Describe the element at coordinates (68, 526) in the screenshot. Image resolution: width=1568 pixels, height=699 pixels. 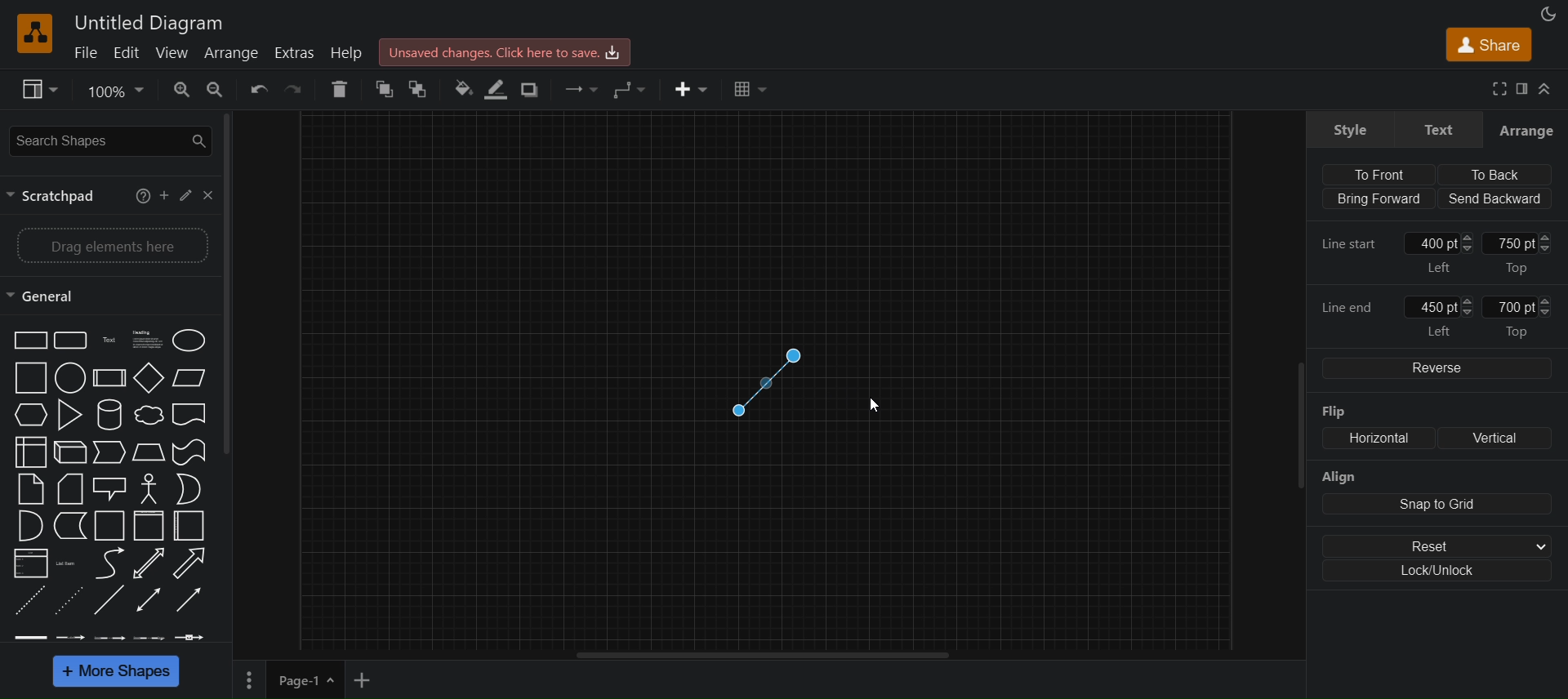
I see `Data storage` at that location.